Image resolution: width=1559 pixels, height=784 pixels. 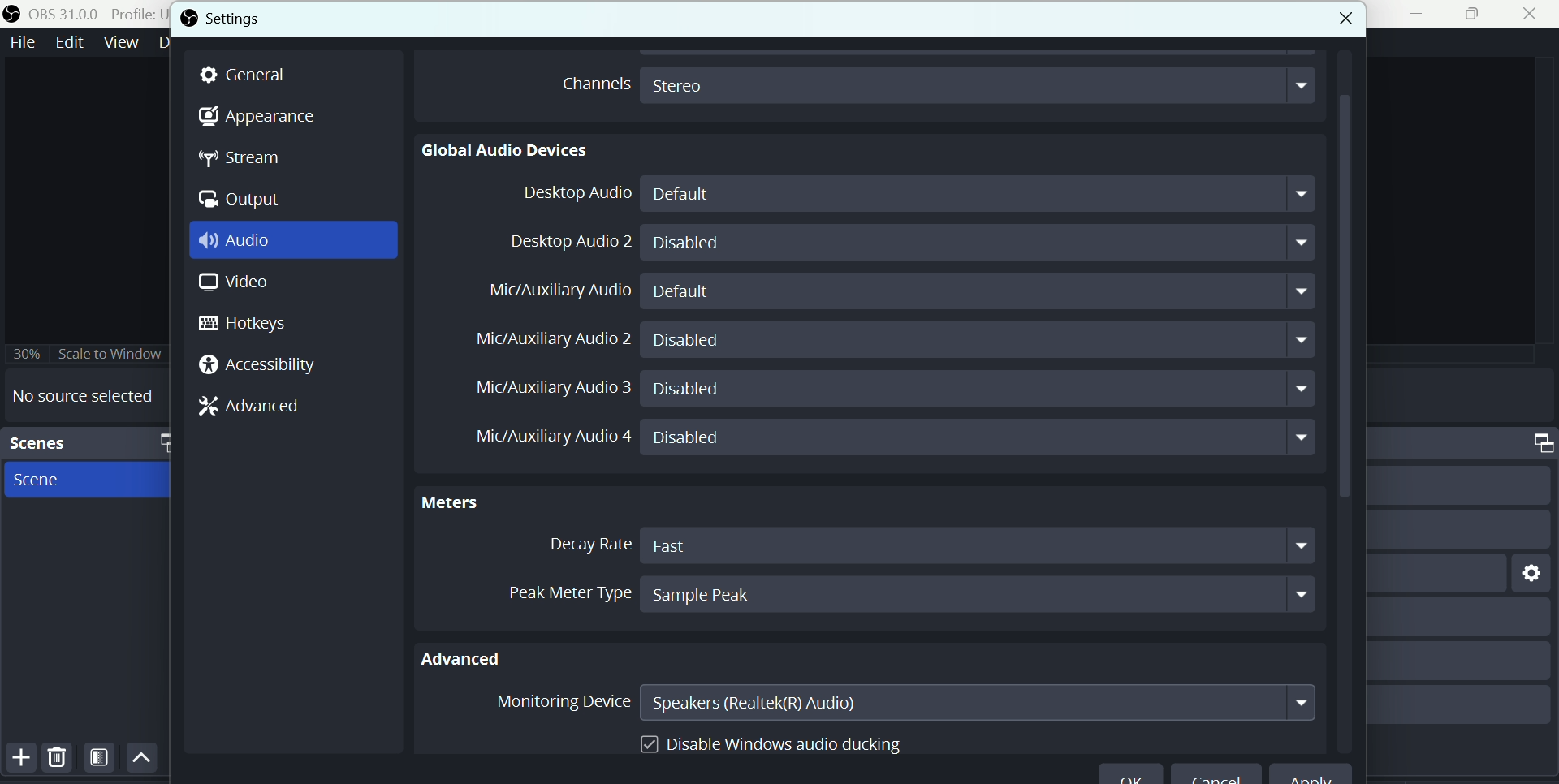 What do you see at coordinates (1527, 571) in the screenshot?
I see `setting` at bounding box center [1527, 571].